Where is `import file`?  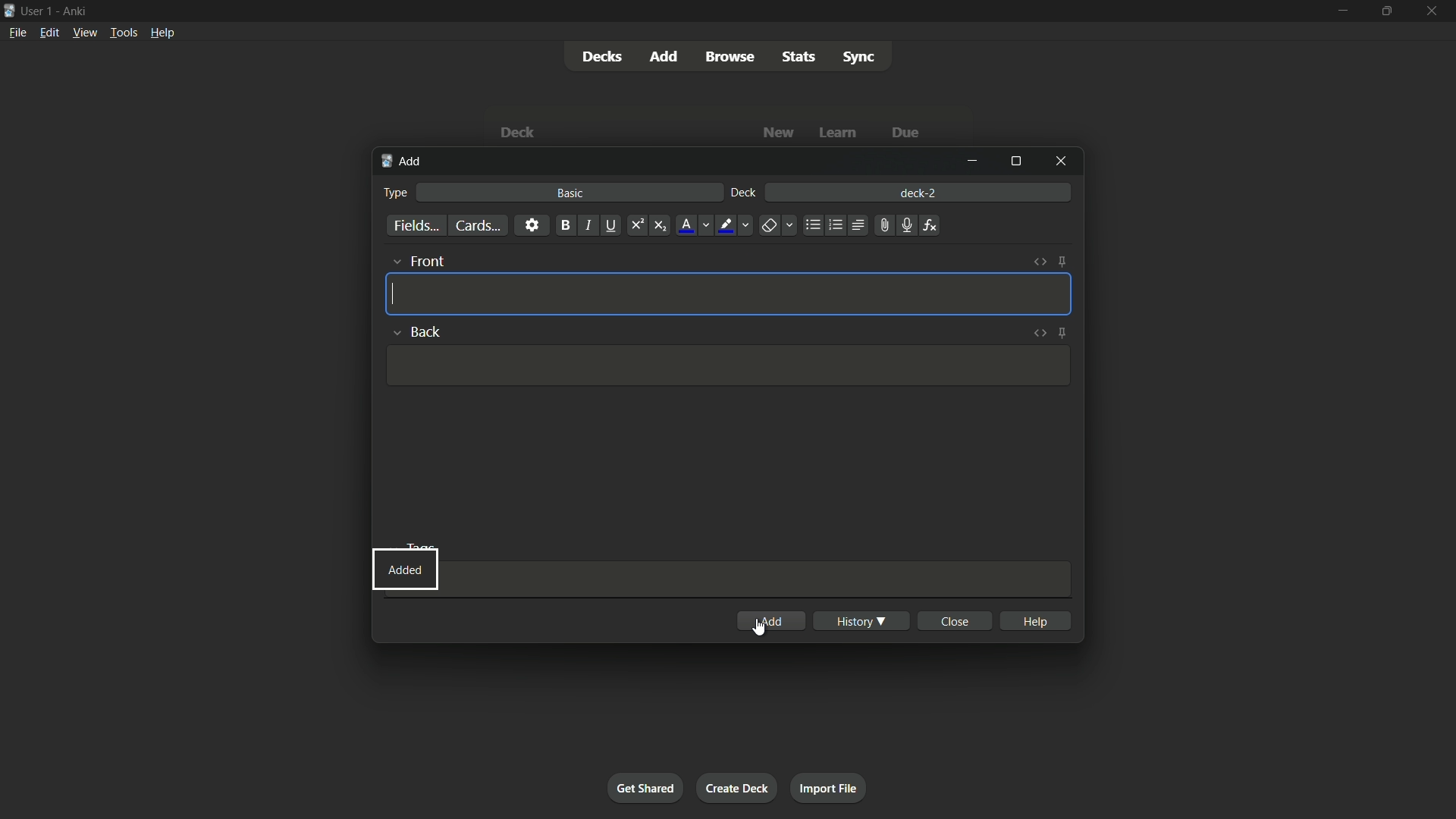
import file is located at coordinates (830, 789).